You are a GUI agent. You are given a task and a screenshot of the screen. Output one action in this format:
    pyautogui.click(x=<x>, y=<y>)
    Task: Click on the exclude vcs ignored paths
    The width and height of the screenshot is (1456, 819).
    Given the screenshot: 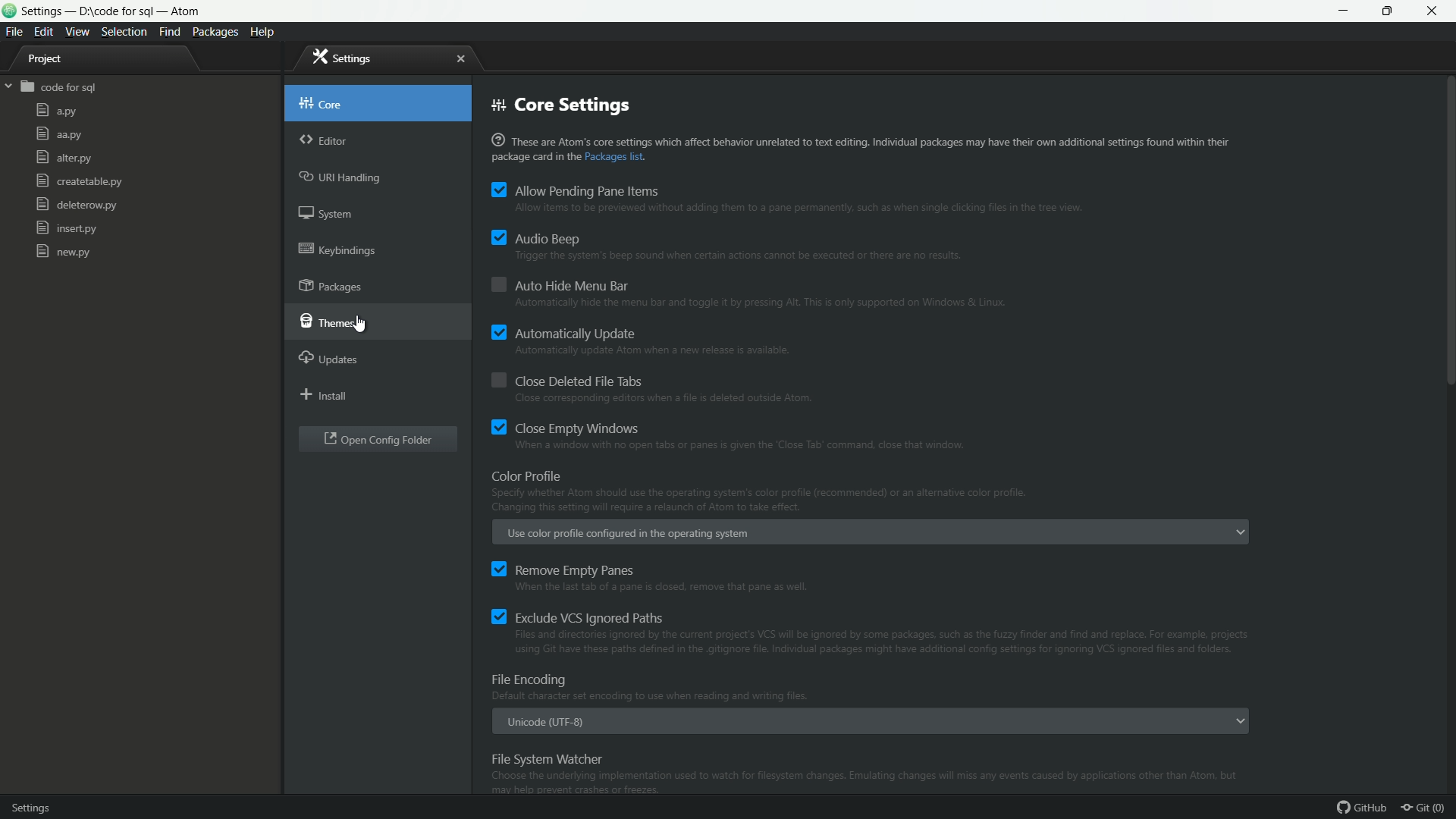 What is the action you would take?
    pyautogui.click(x=577, y=616)
    